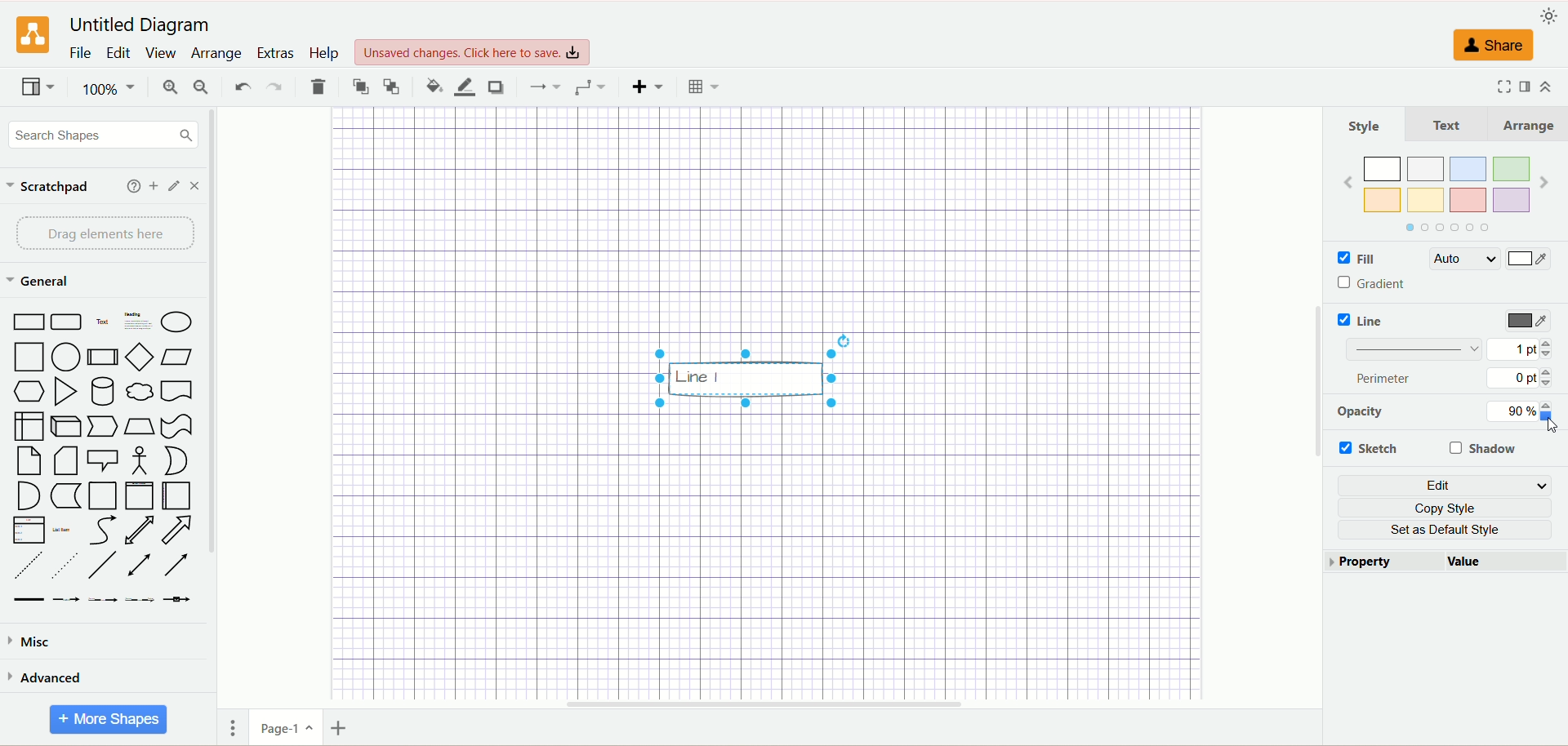 Image resolution: width=1568 pixels, height=746 pixels. I want to click on Trapezoid, so click(140, 428).